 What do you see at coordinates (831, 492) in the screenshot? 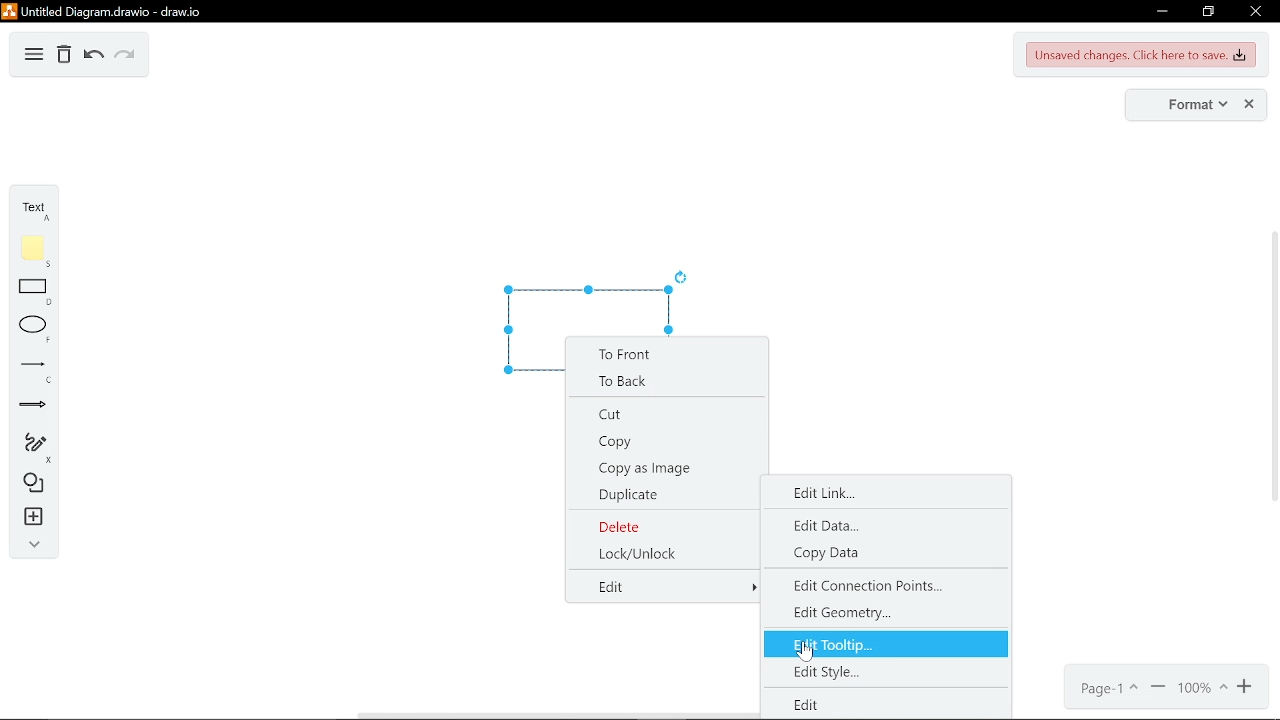
I see `edit link` at bounding box center [831, 492].